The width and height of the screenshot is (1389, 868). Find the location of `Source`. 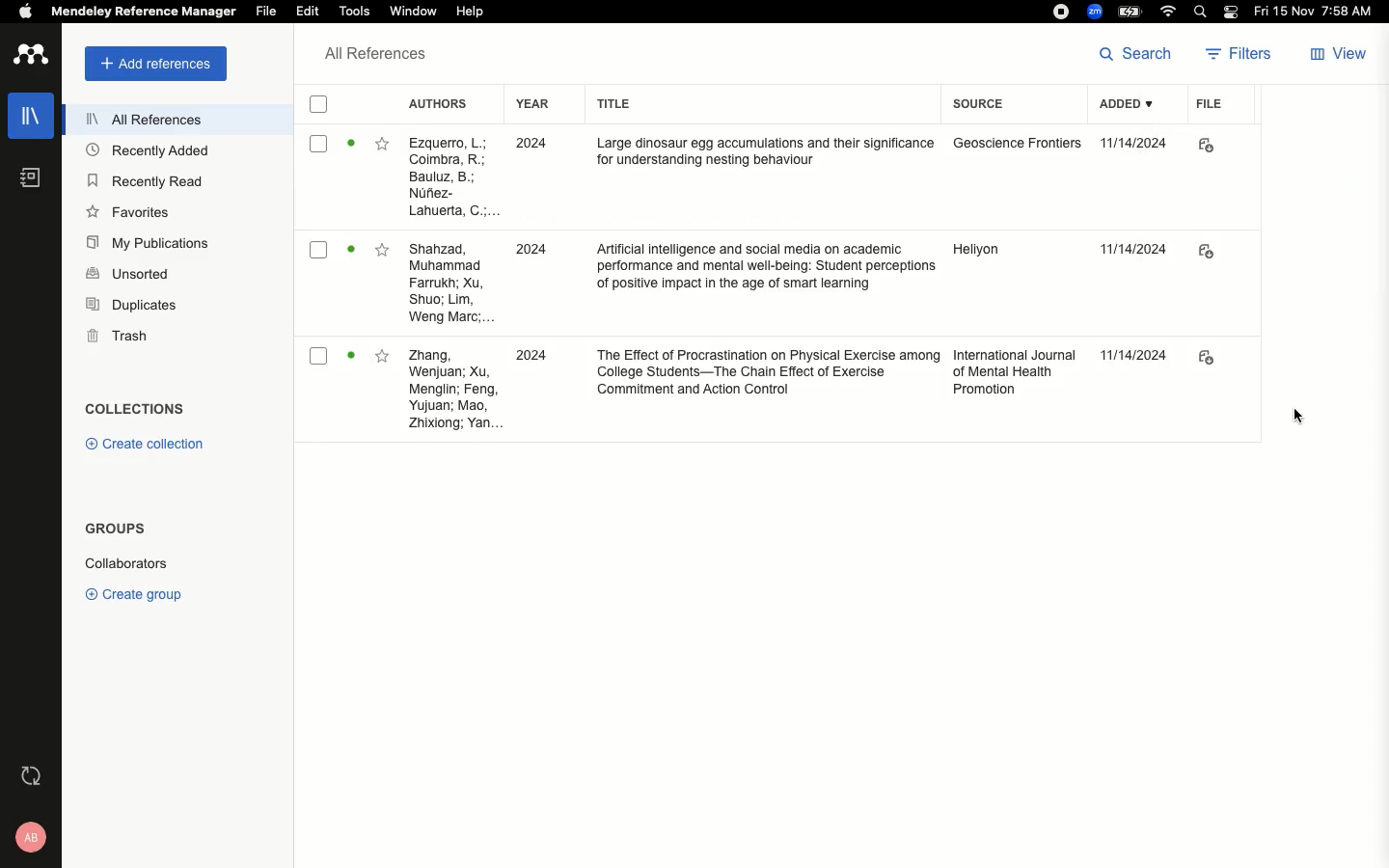

Source is located at coordinates (981, 107).